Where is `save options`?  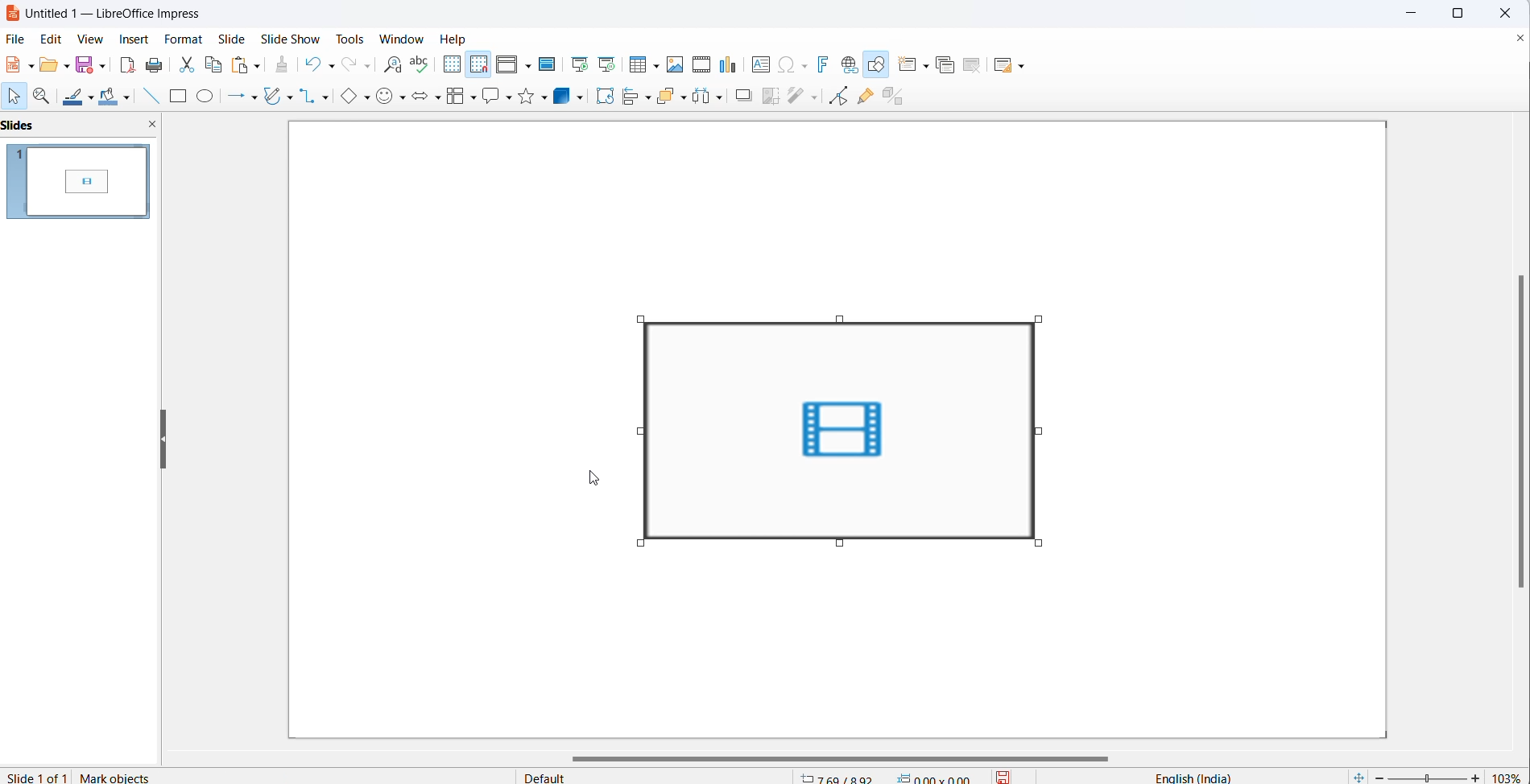 save options is located at coordinates (100, 68).